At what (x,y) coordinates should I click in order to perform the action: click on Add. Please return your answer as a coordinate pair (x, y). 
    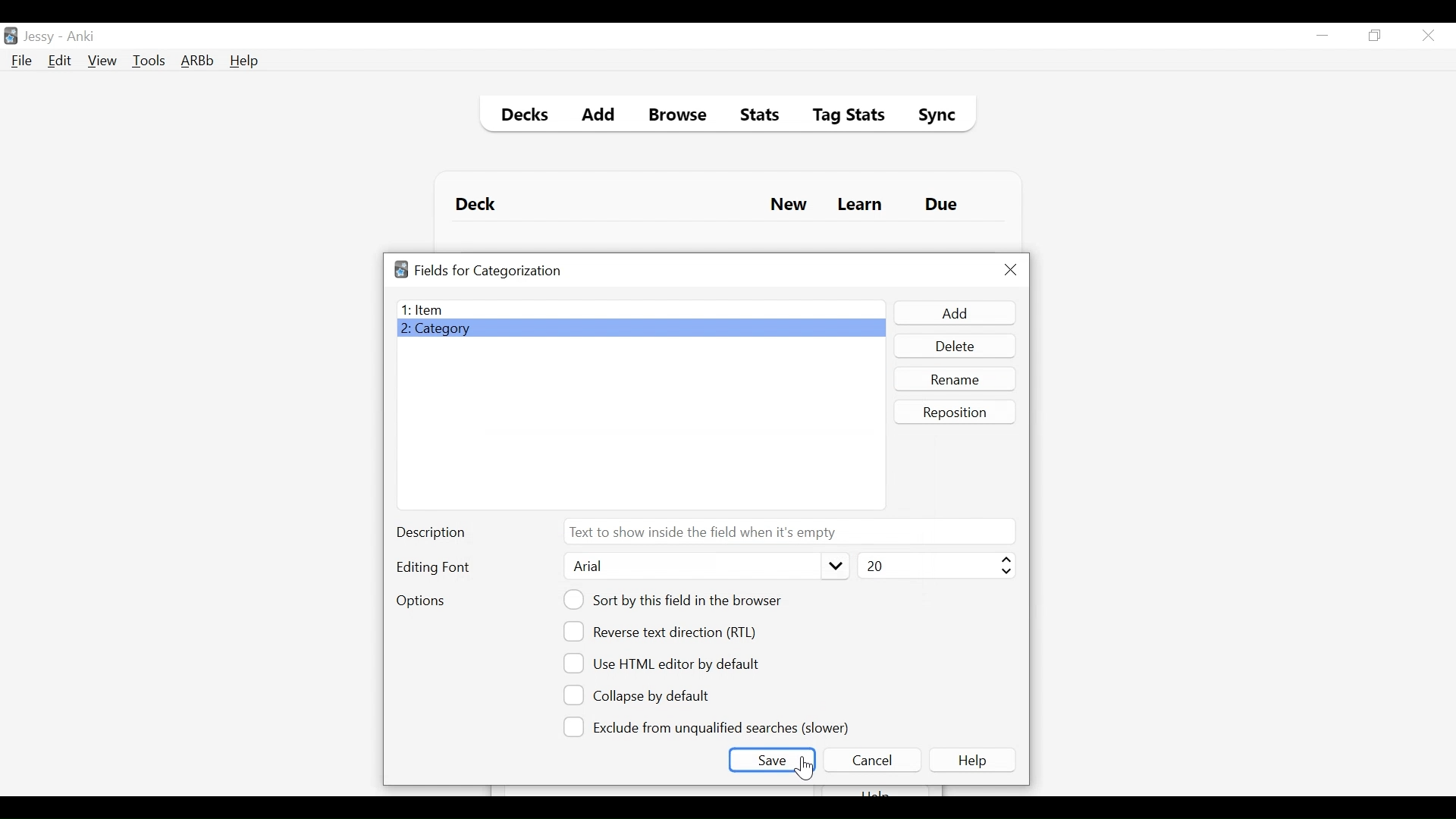
    Looking at the image, I should click on (599, 117).